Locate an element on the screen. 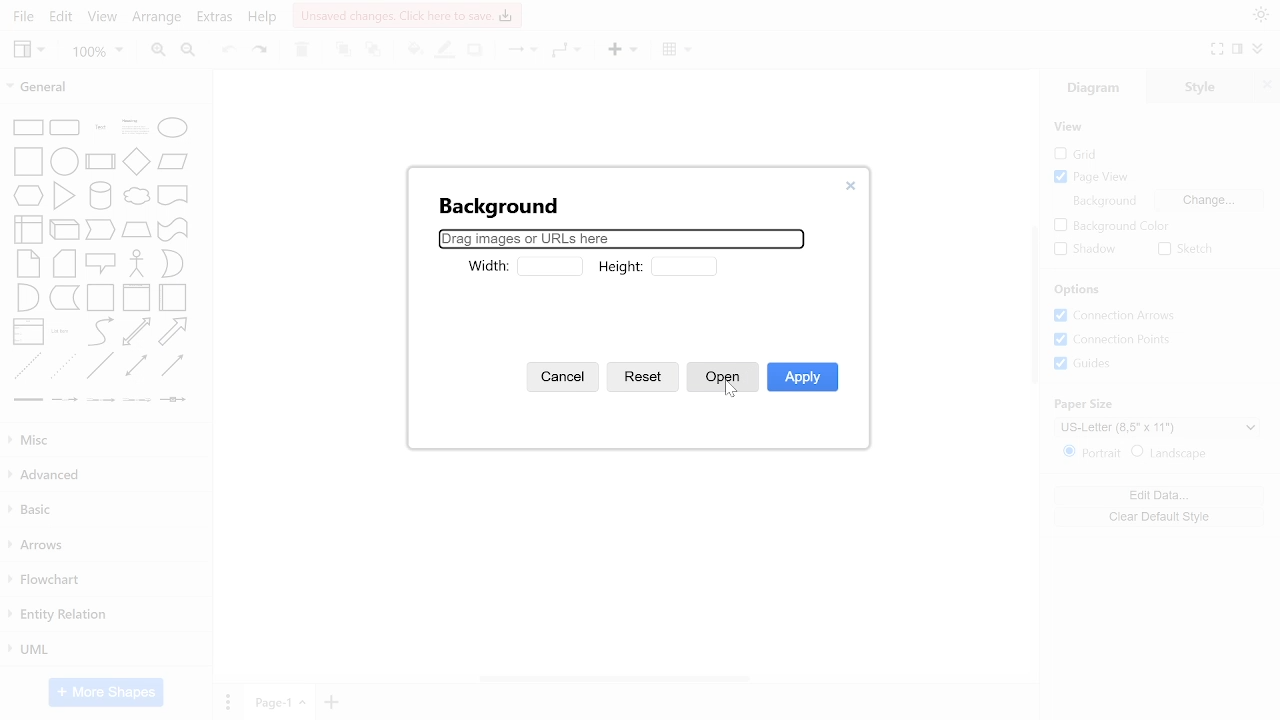  general shapes is located at coordinates (28, 262).